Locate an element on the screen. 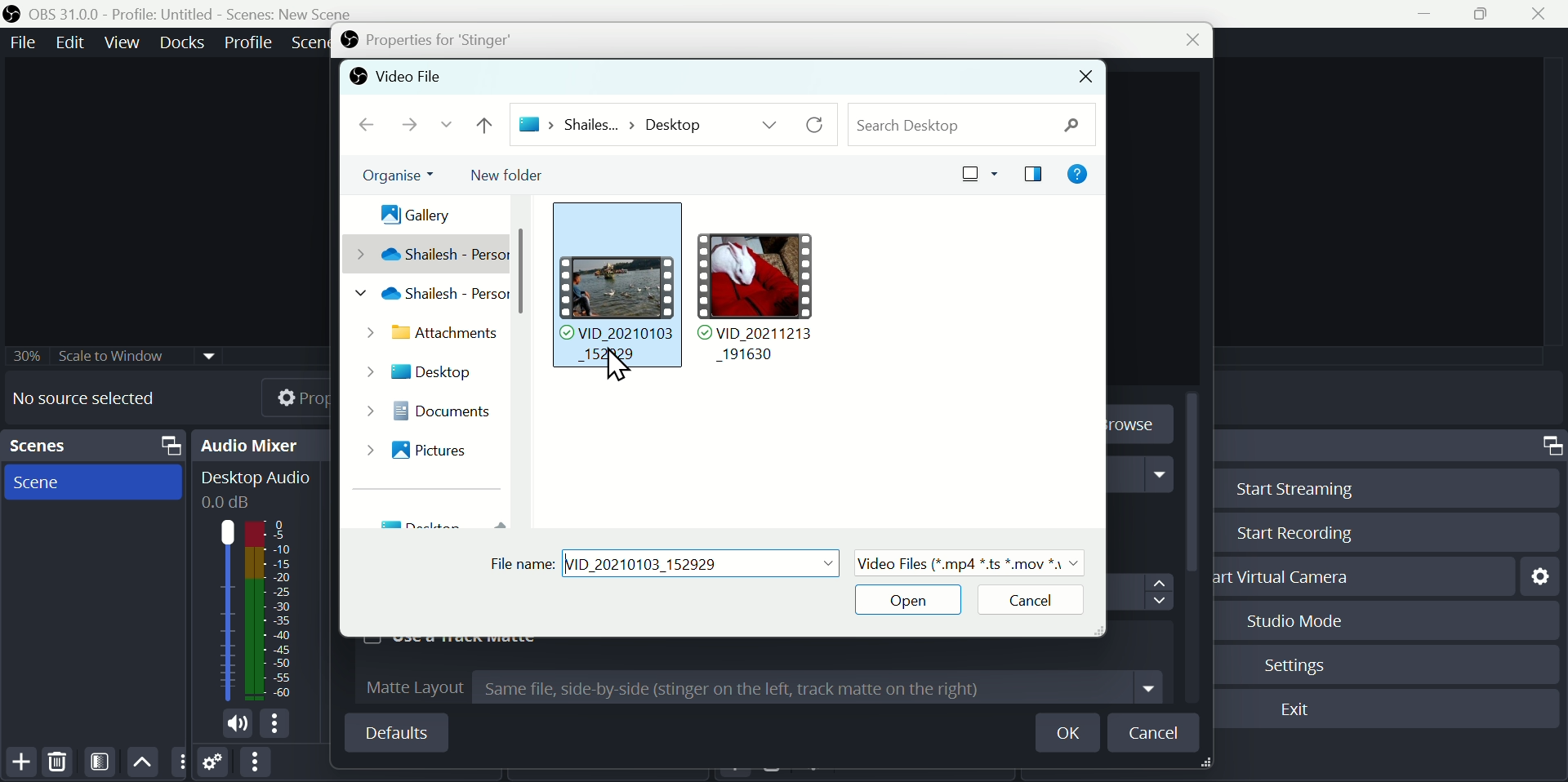  Close is located at coordinates (1086, 78).